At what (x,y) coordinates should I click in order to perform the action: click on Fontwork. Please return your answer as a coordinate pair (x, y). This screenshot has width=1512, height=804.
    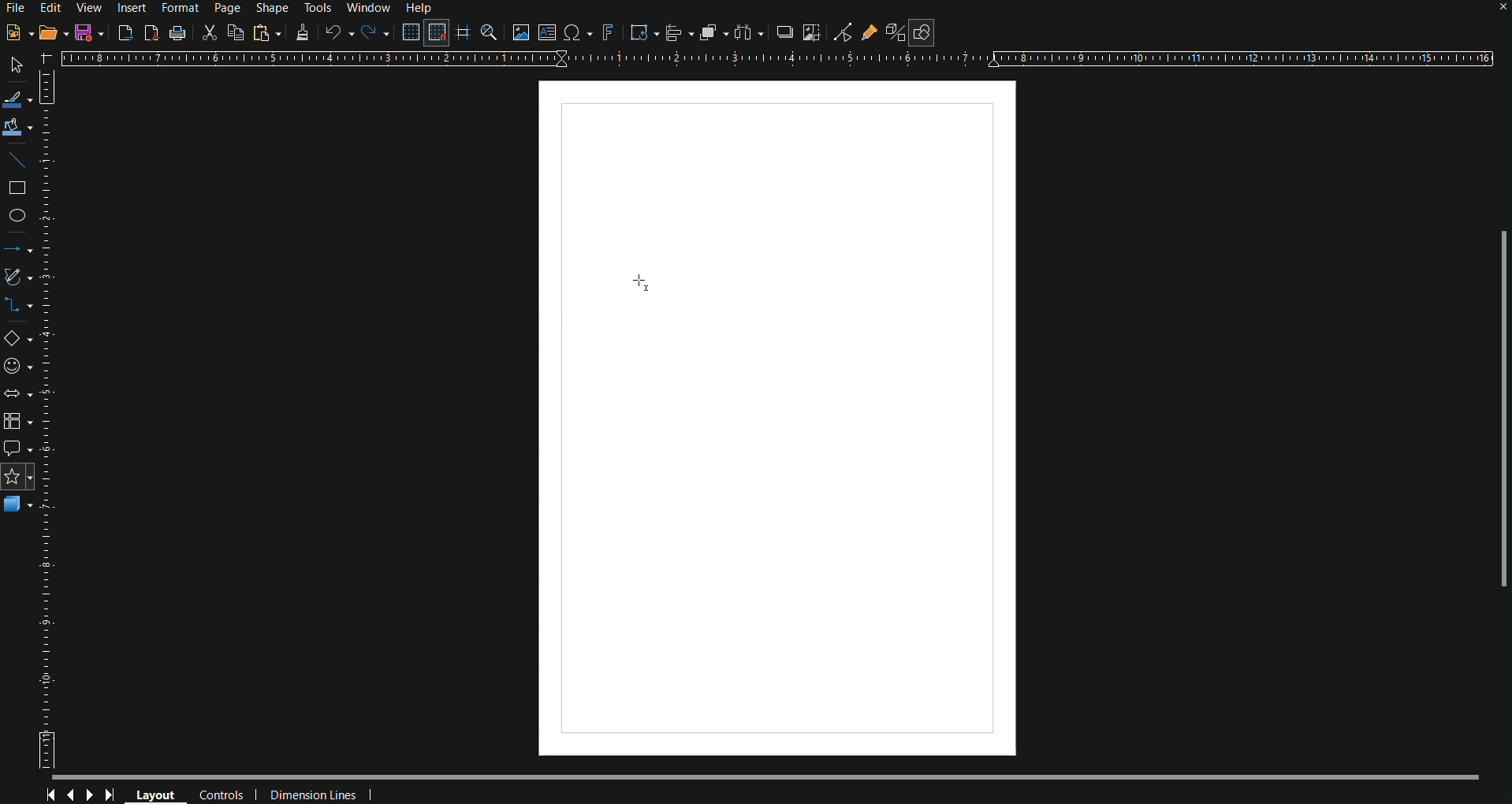
    Looking at the image, I should click on (609, 34).